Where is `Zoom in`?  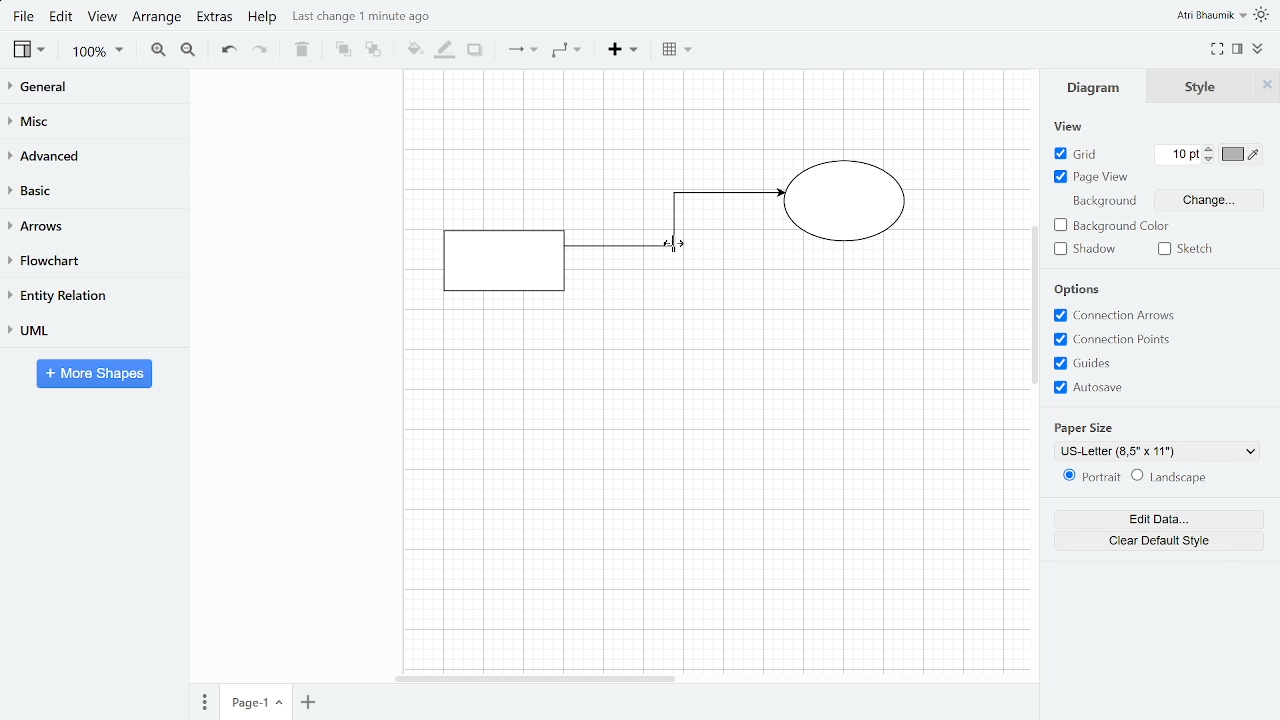 Zoom in is located at coordinates (158, 50).